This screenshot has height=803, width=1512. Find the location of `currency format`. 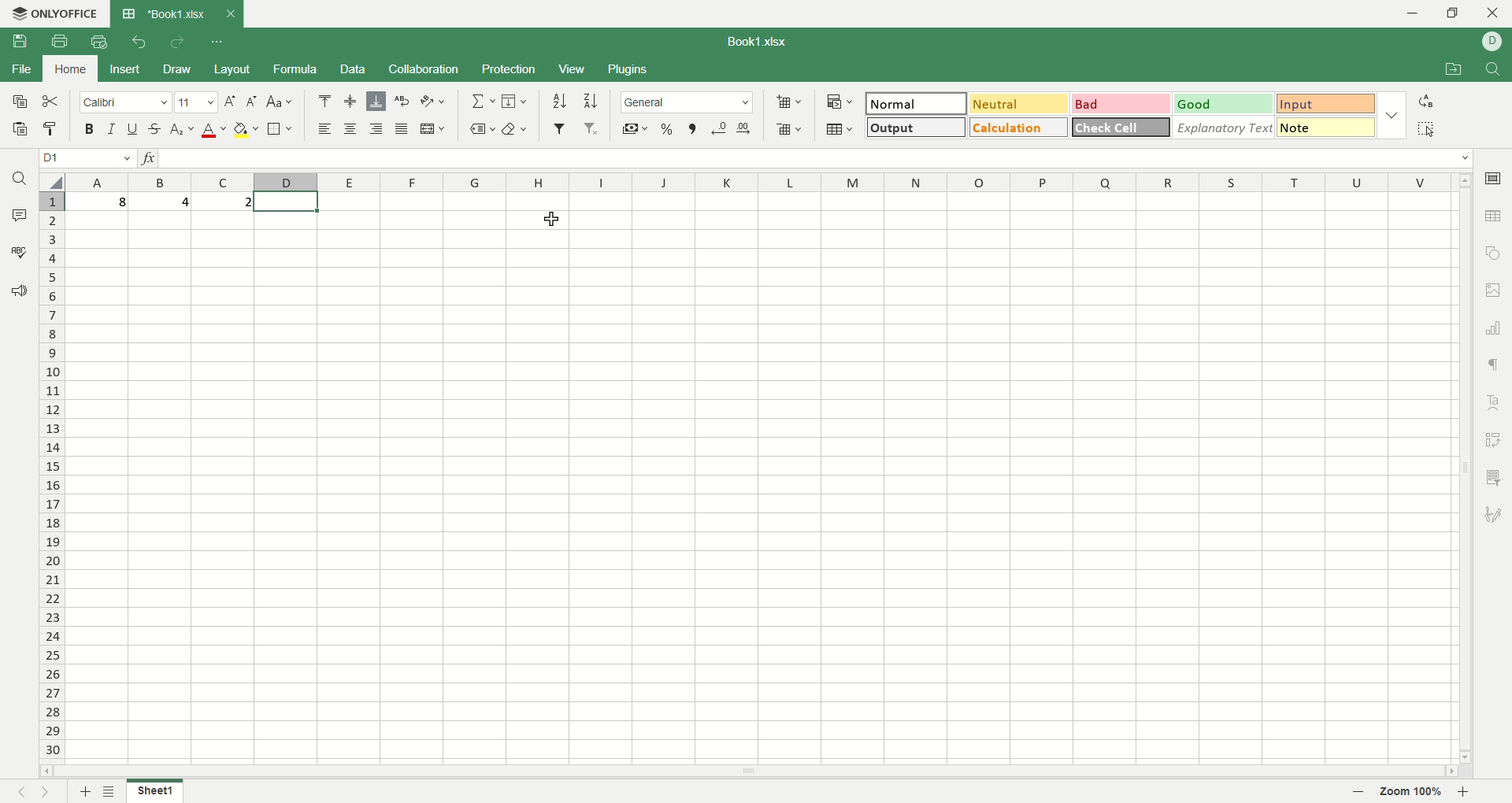

currency format is located at coordinates (633, 129).